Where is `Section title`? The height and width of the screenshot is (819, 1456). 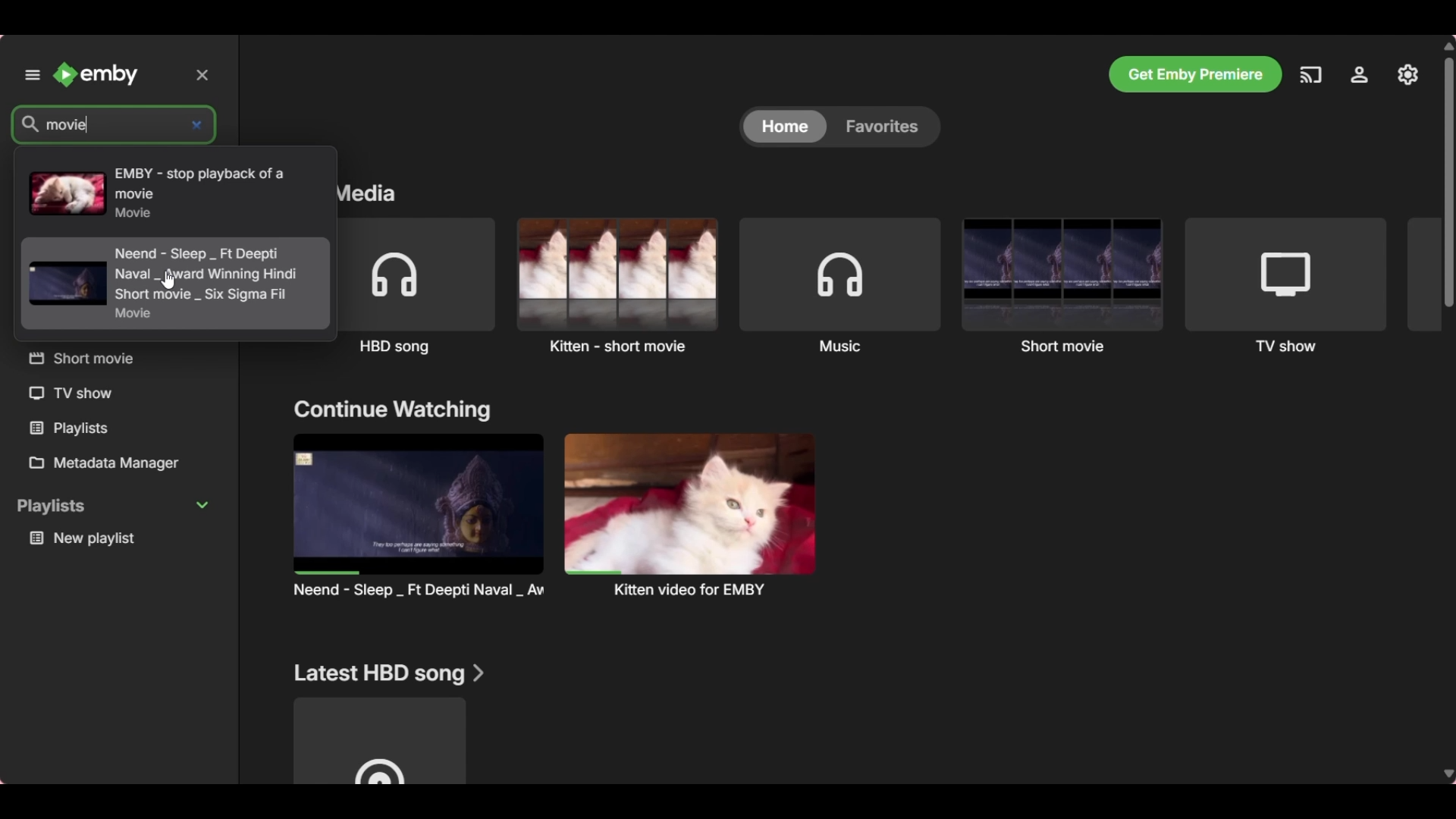
Section title is located at coordinates (373, 193).